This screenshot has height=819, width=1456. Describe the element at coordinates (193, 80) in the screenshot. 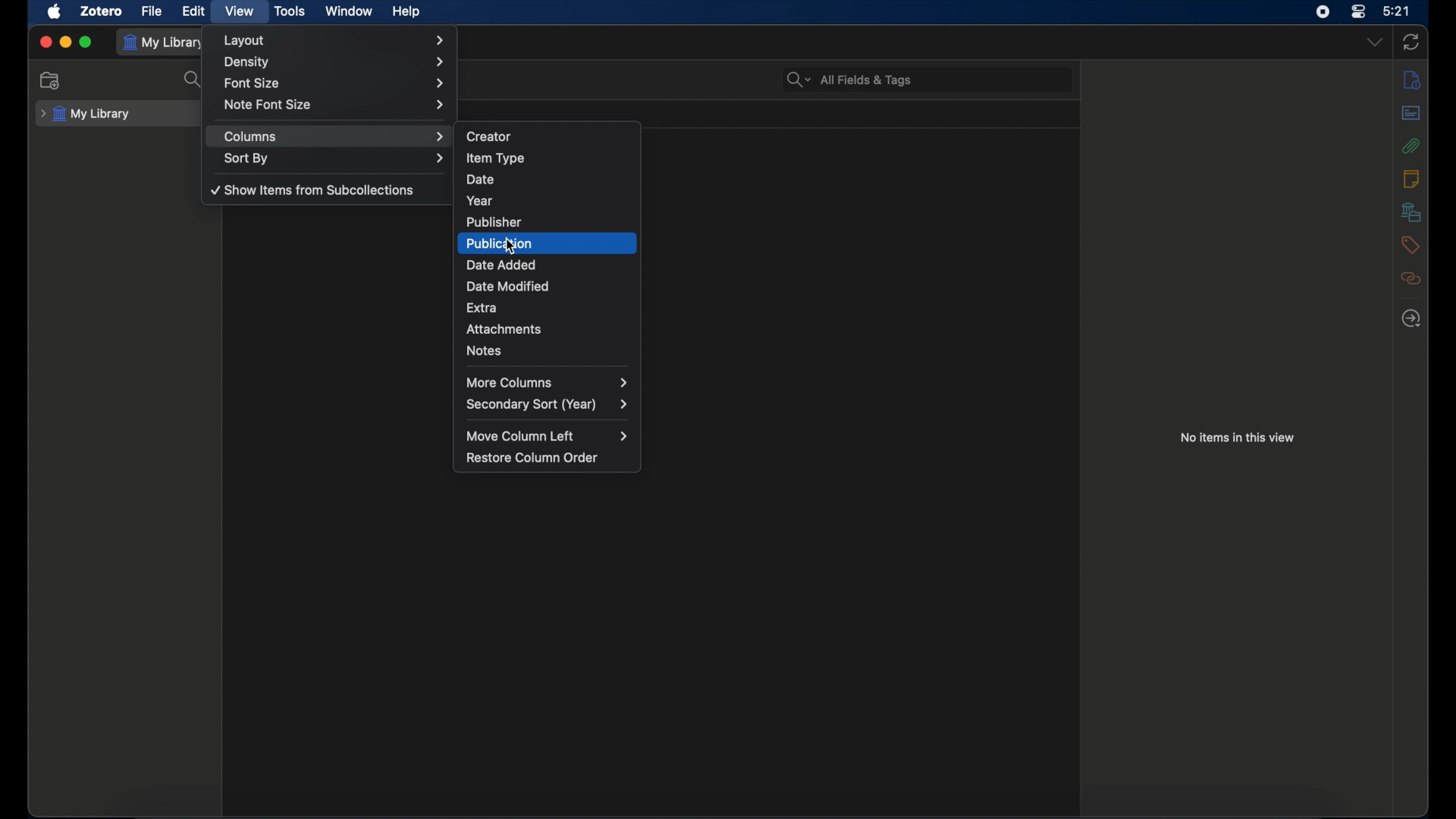

I see `search` at that location.